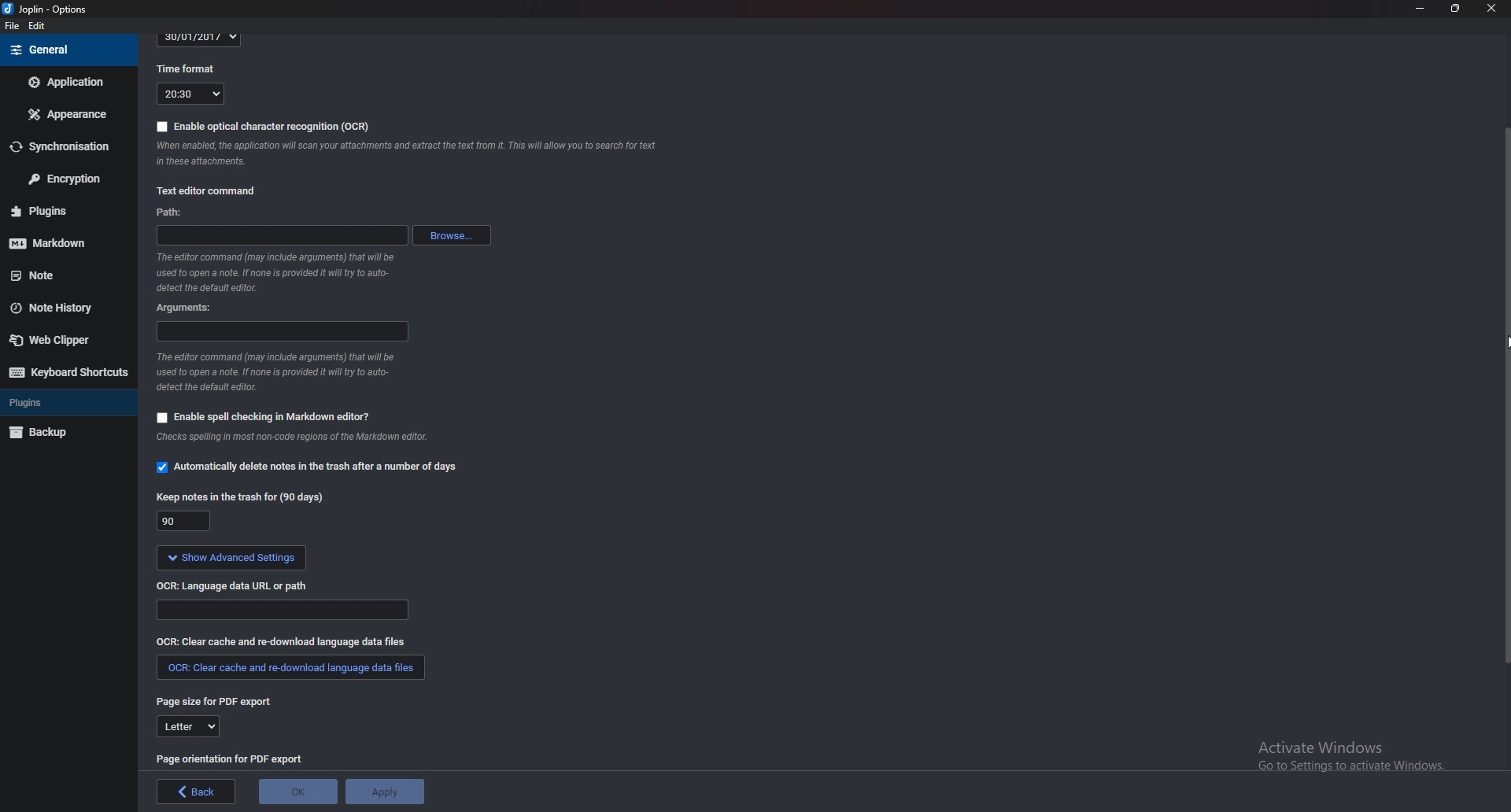  I want to click on page size for pdf export, so click(219, 703).